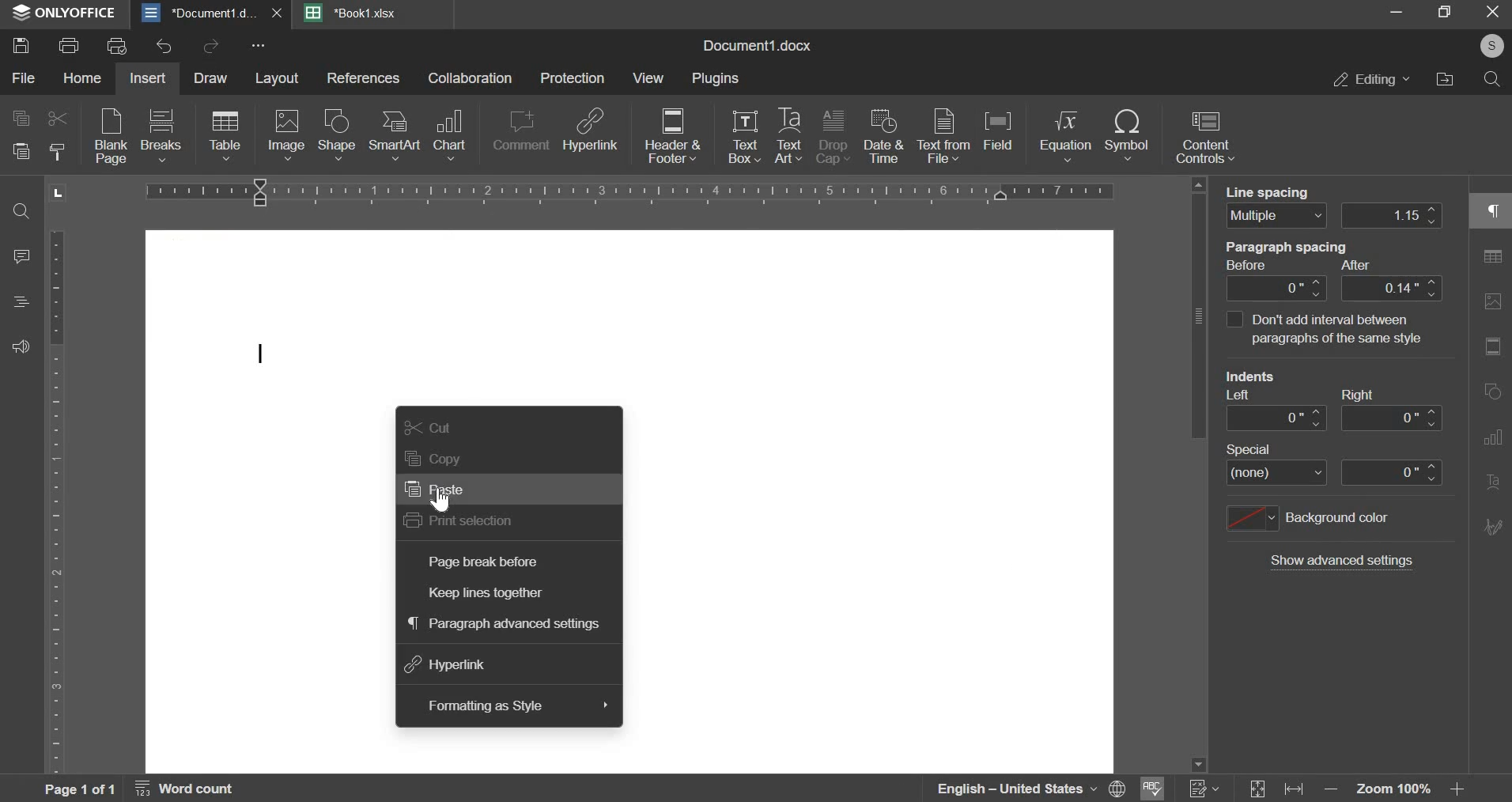 The height and width of the screenshot is (802, 1512). What do you see at coordinates (649, 78) in the screenshot?
I see `view` at bounding box center [649, 78].